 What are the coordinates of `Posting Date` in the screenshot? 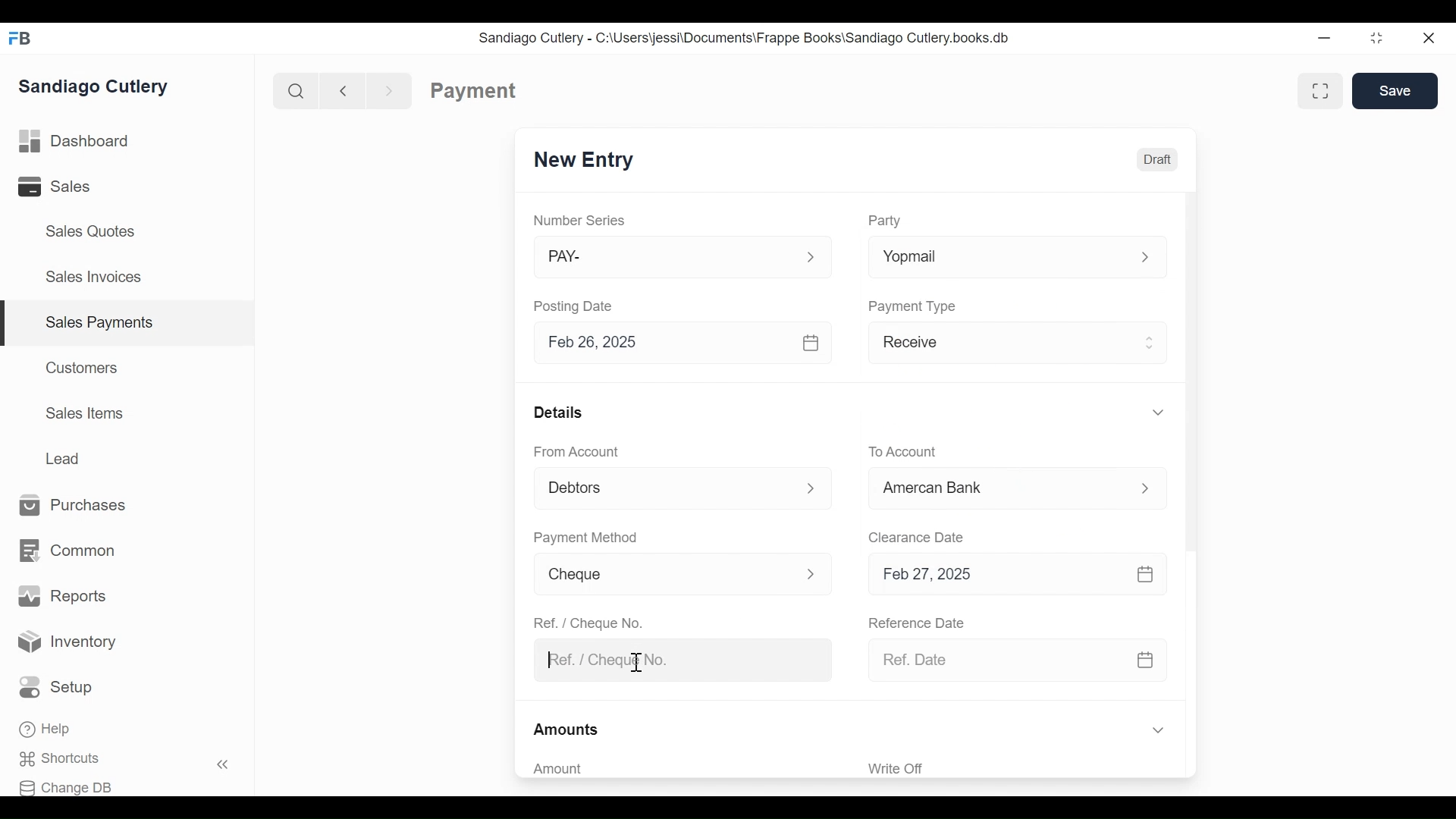 It's located at (576, 306).